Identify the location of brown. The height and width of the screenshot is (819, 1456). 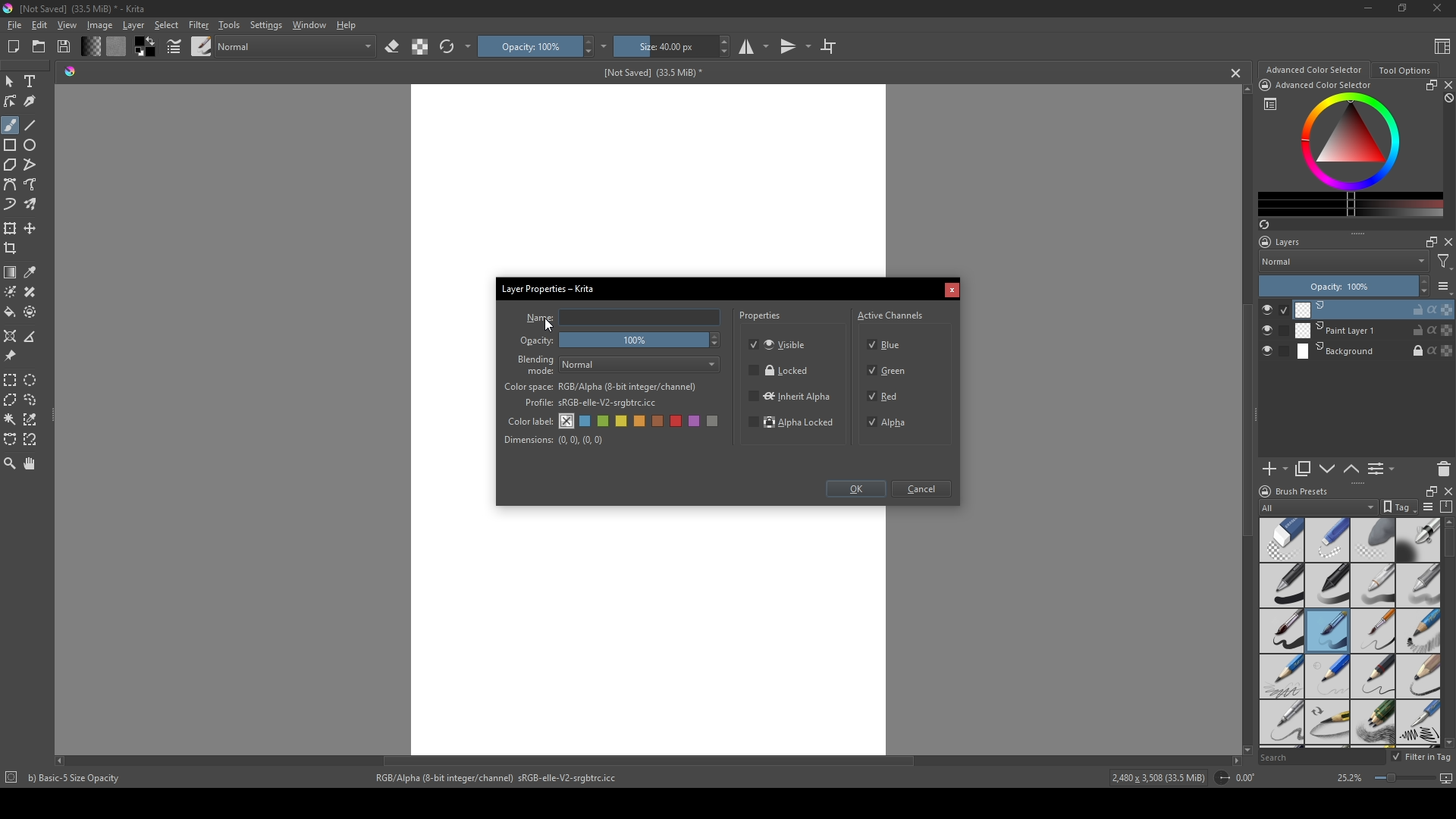
(660, 421).